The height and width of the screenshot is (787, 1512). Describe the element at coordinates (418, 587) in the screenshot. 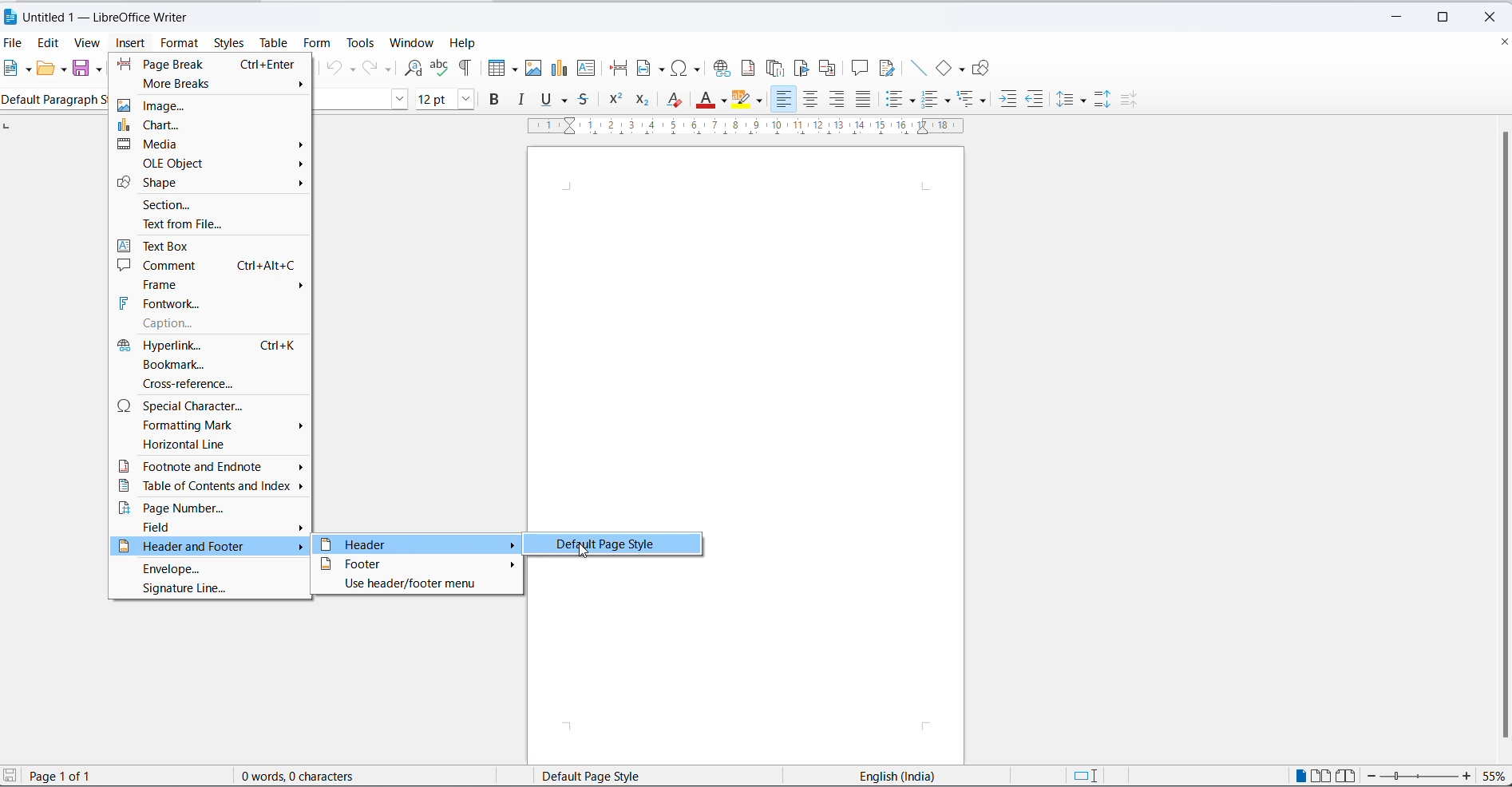

I see `use header/footer menu` at that location.